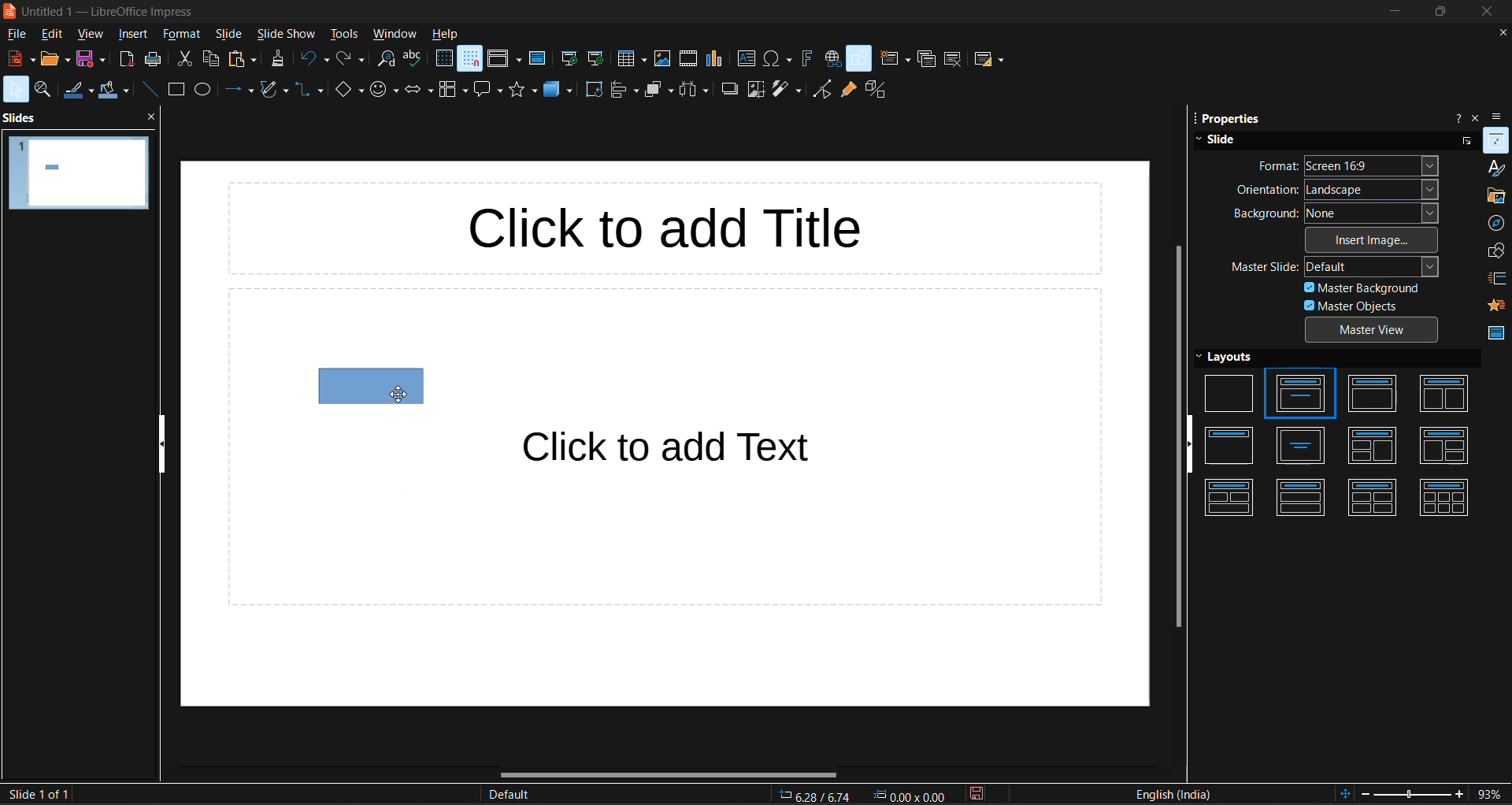 The height and width of the screenshot is (805, 1512). What do you see at coordinates (867, 796) in the screenshot?
I see `6.28/6.74 0.00x0.00` at bounding box center [867, 796].